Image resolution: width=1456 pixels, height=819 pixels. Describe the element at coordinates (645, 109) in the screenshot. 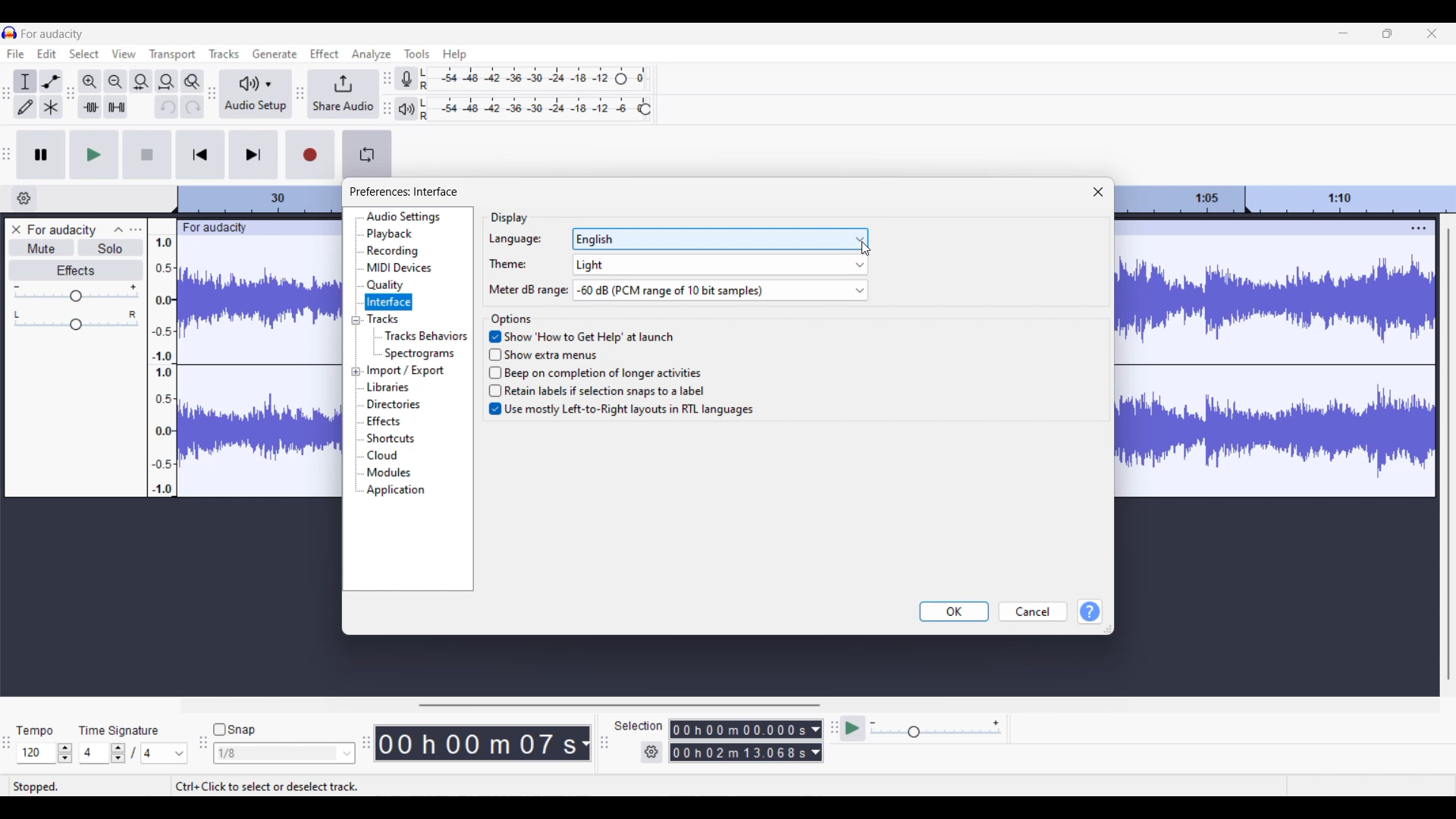

I see `Playback level header` at that location.